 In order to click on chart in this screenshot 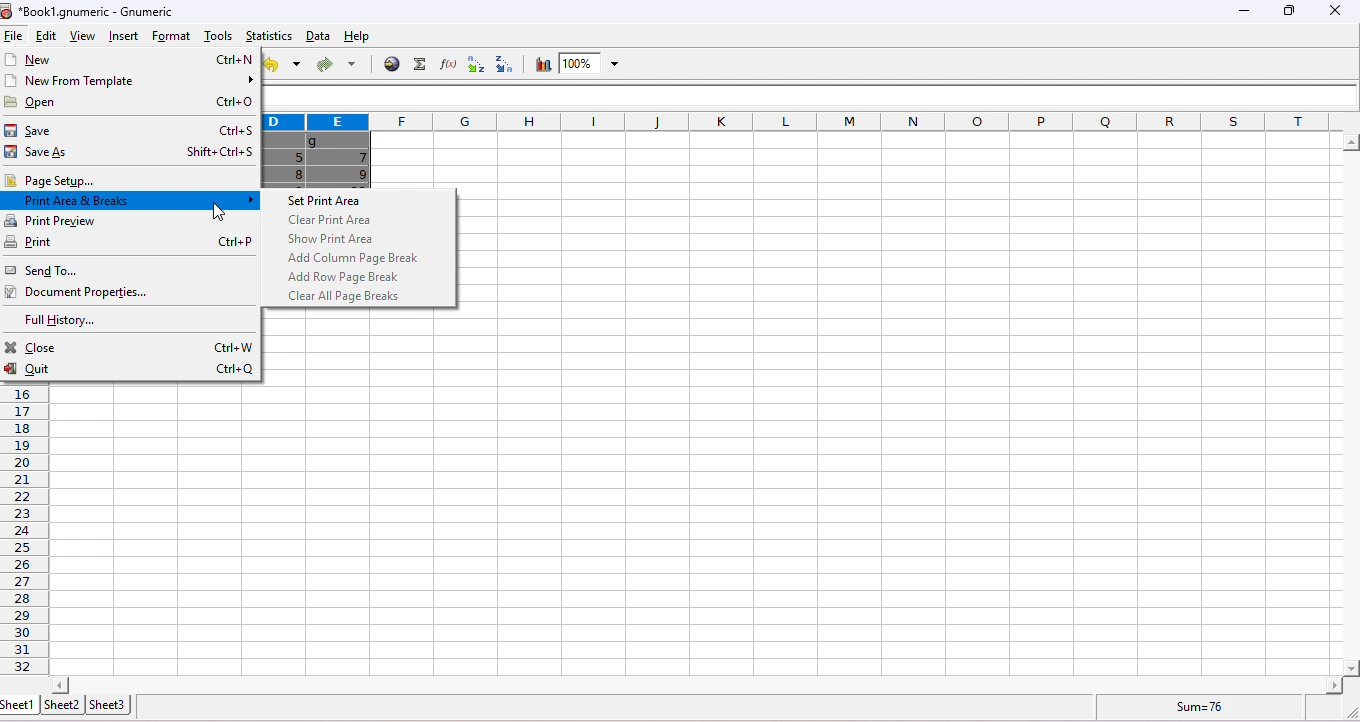, I will do `click(541, 65)`.